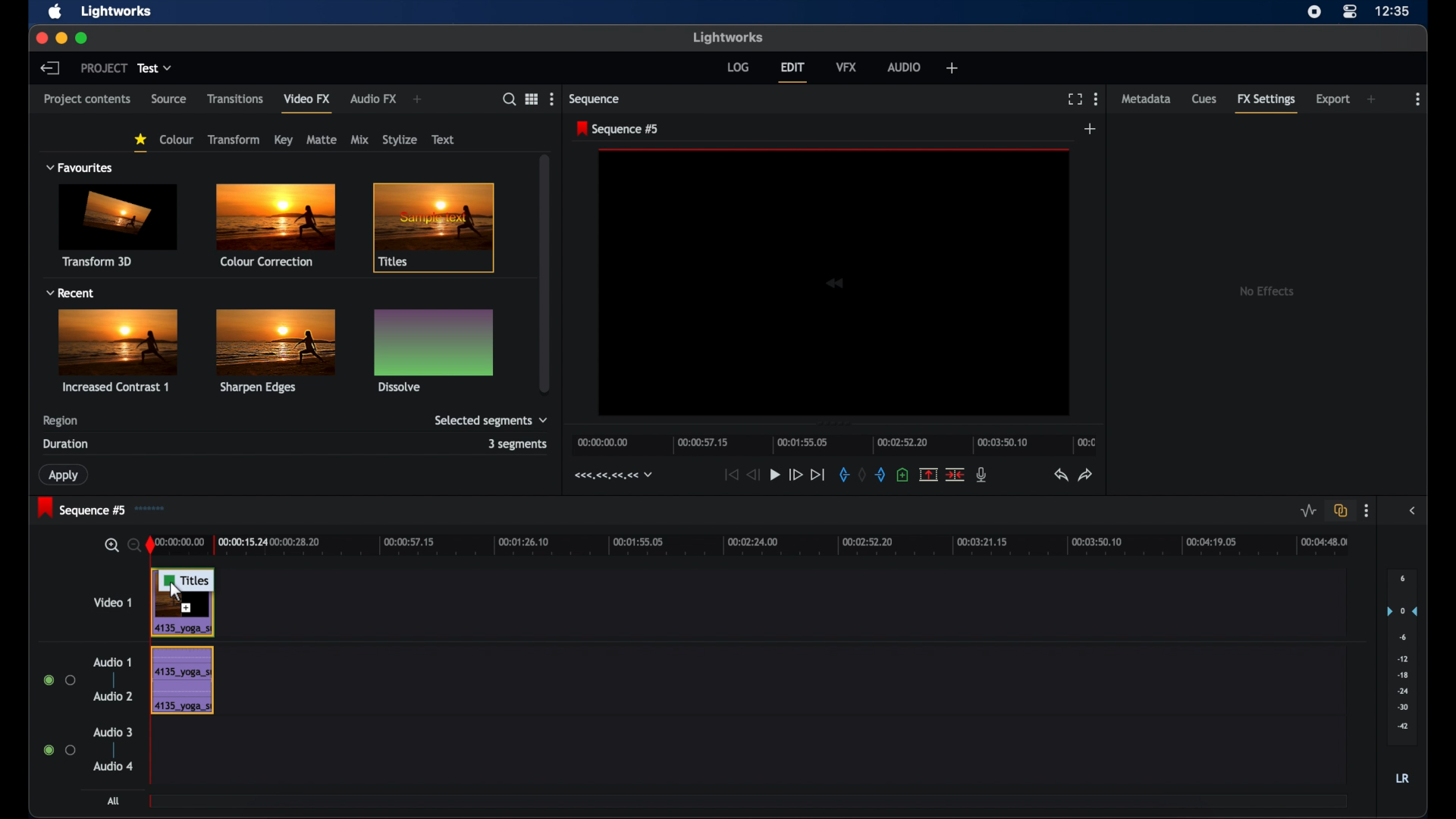 The width and height of the screenshot is (1456, 819). I want to click on remove marked section, so click(929, 473).